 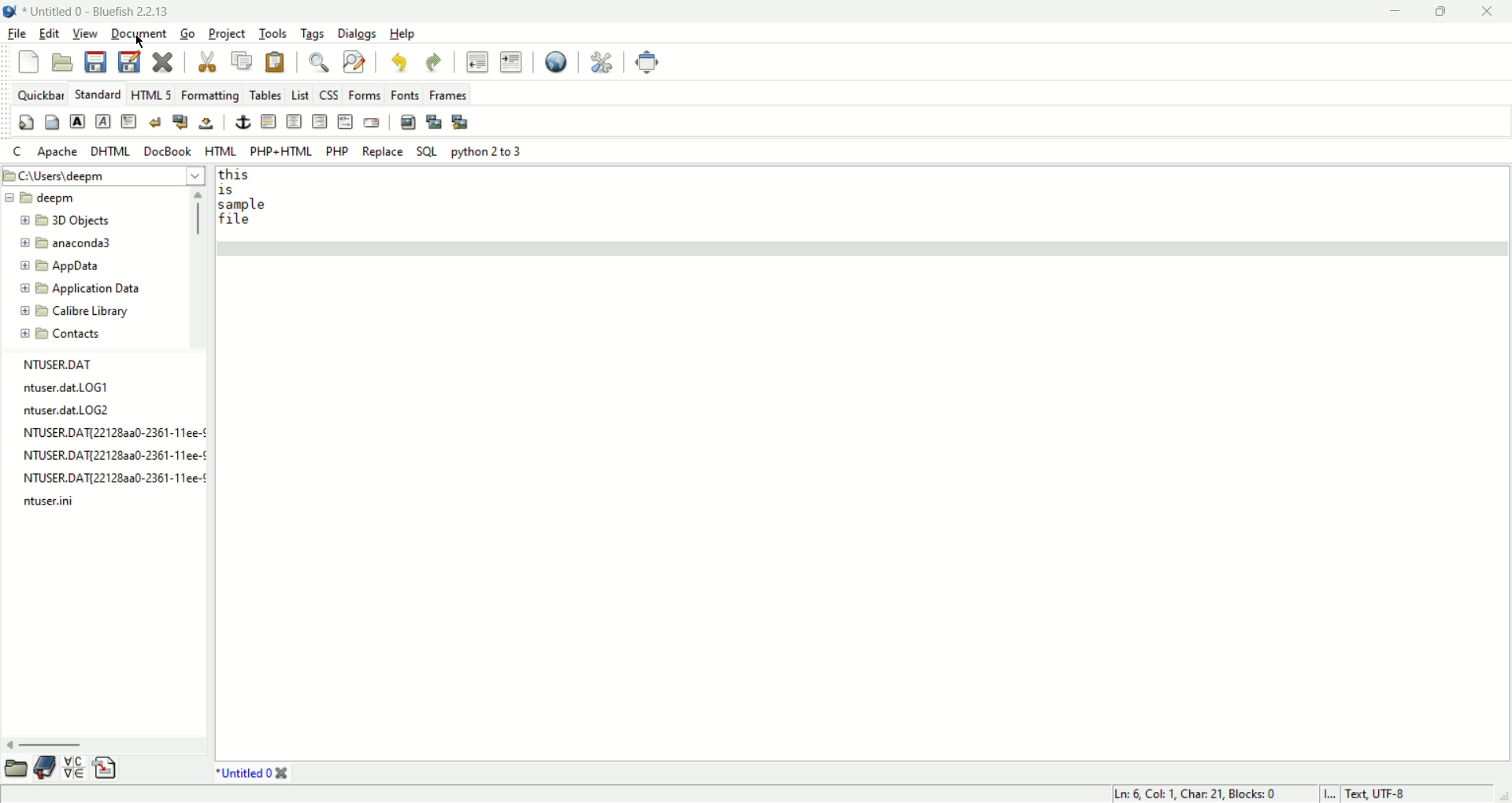 I want to click on application, so click(x=84, y=289).